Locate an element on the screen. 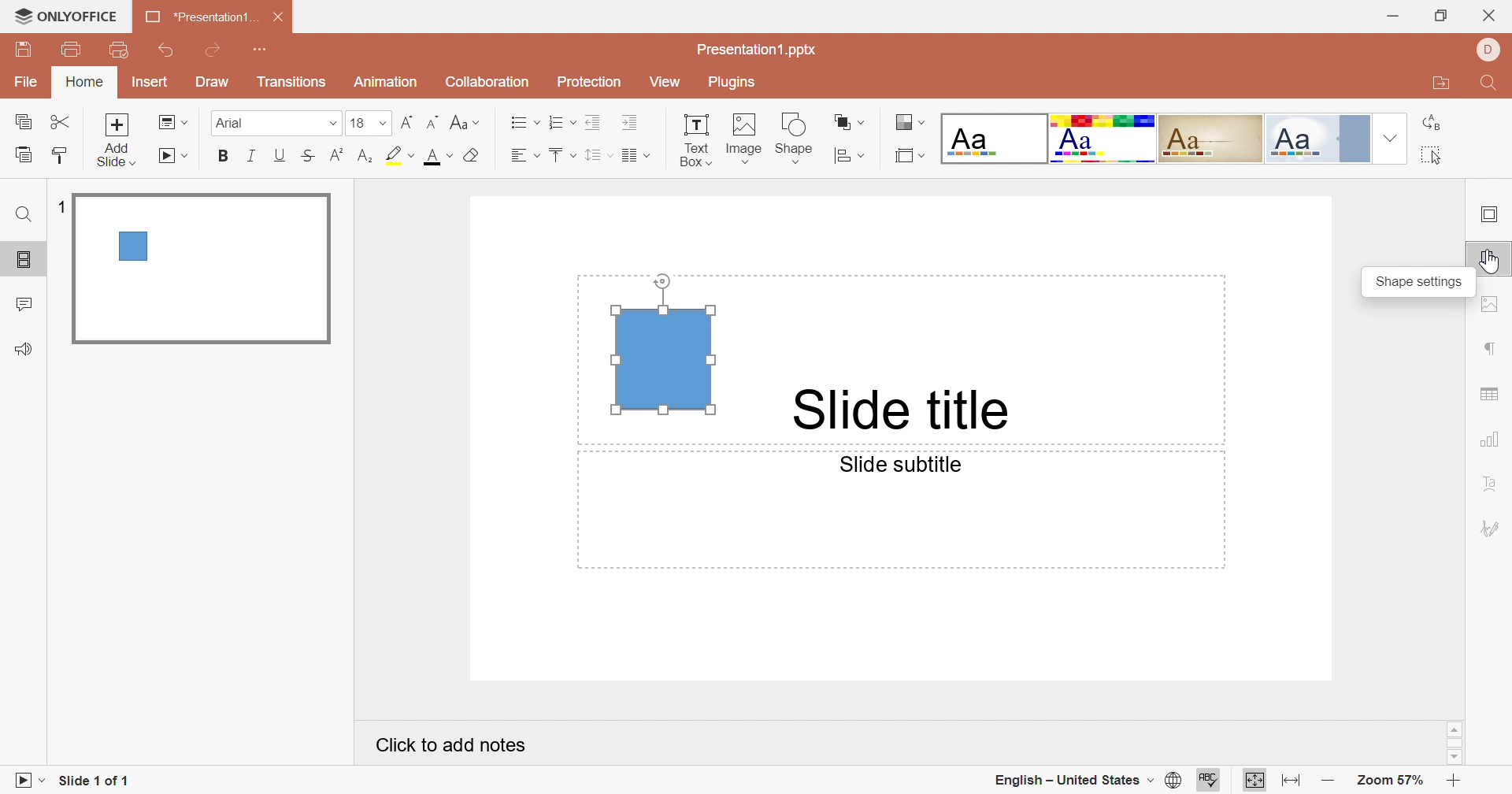 The image size is (1512, 794). Text Box is located at coordinates (694, 139).